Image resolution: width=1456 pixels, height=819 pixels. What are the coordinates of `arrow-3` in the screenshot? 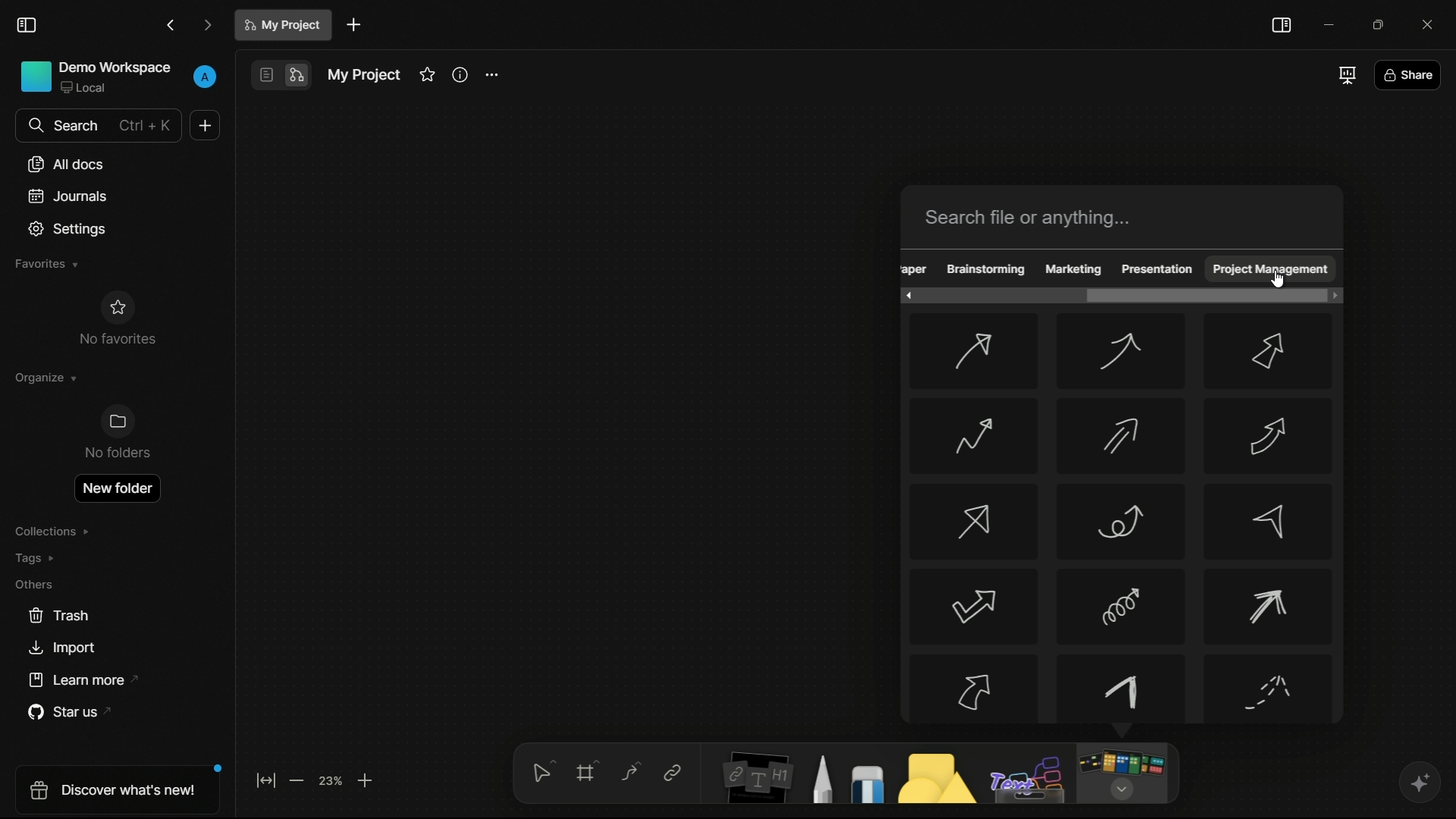 It's located at (1271, 353).